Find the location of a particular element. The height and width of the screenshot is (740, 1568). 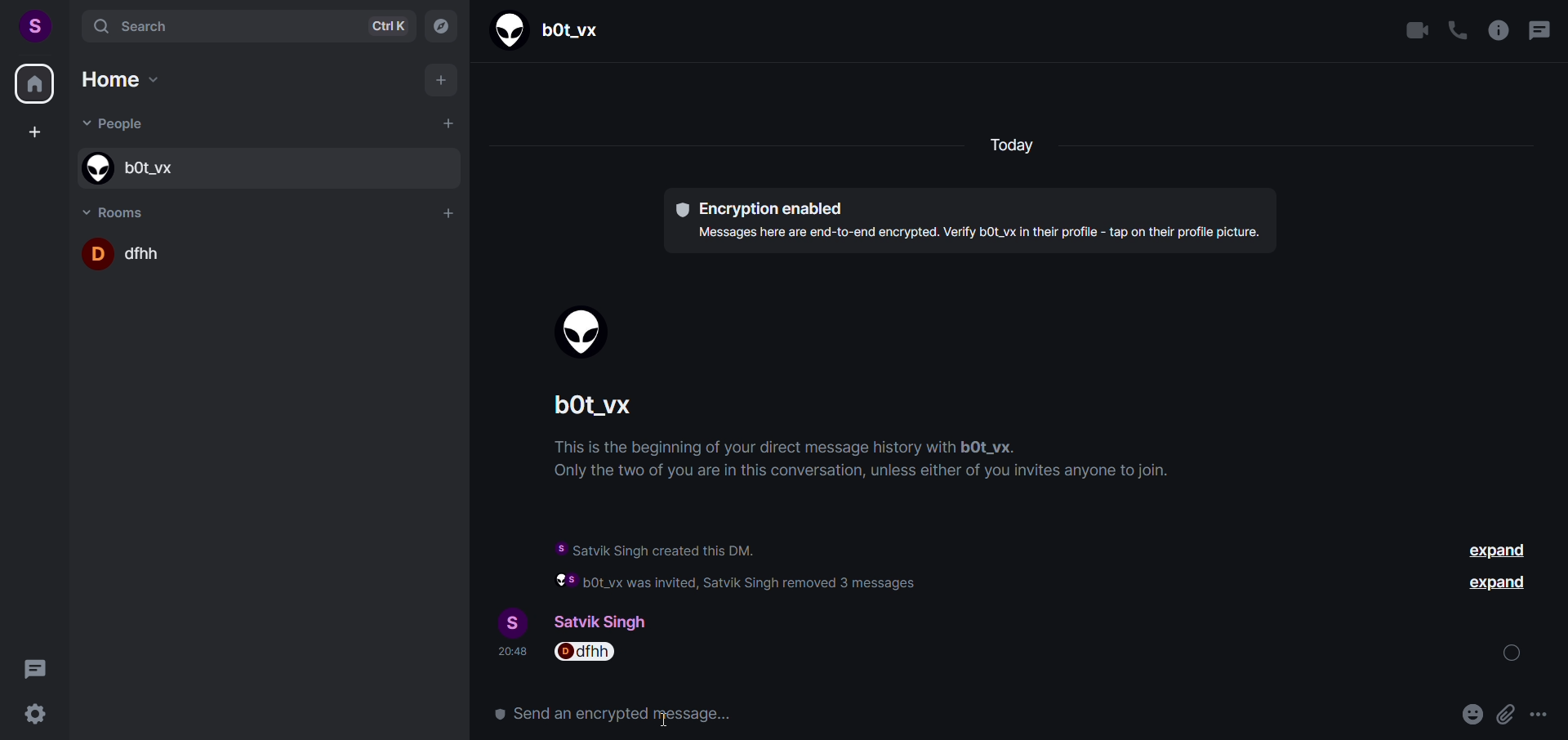

create space is located at coordinates (33, 133).